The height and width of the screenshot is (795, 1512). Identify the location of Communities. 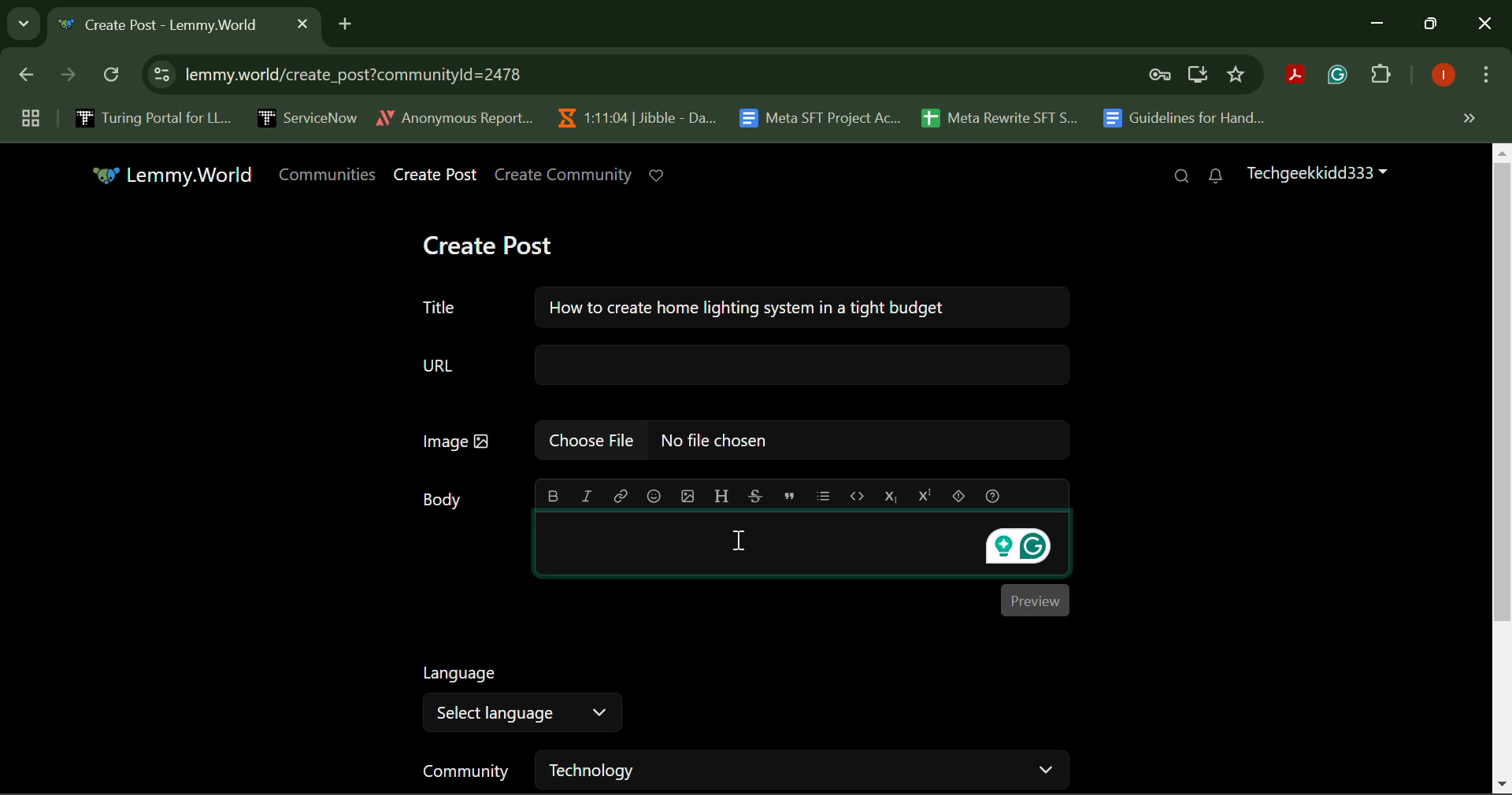
(331, 175).